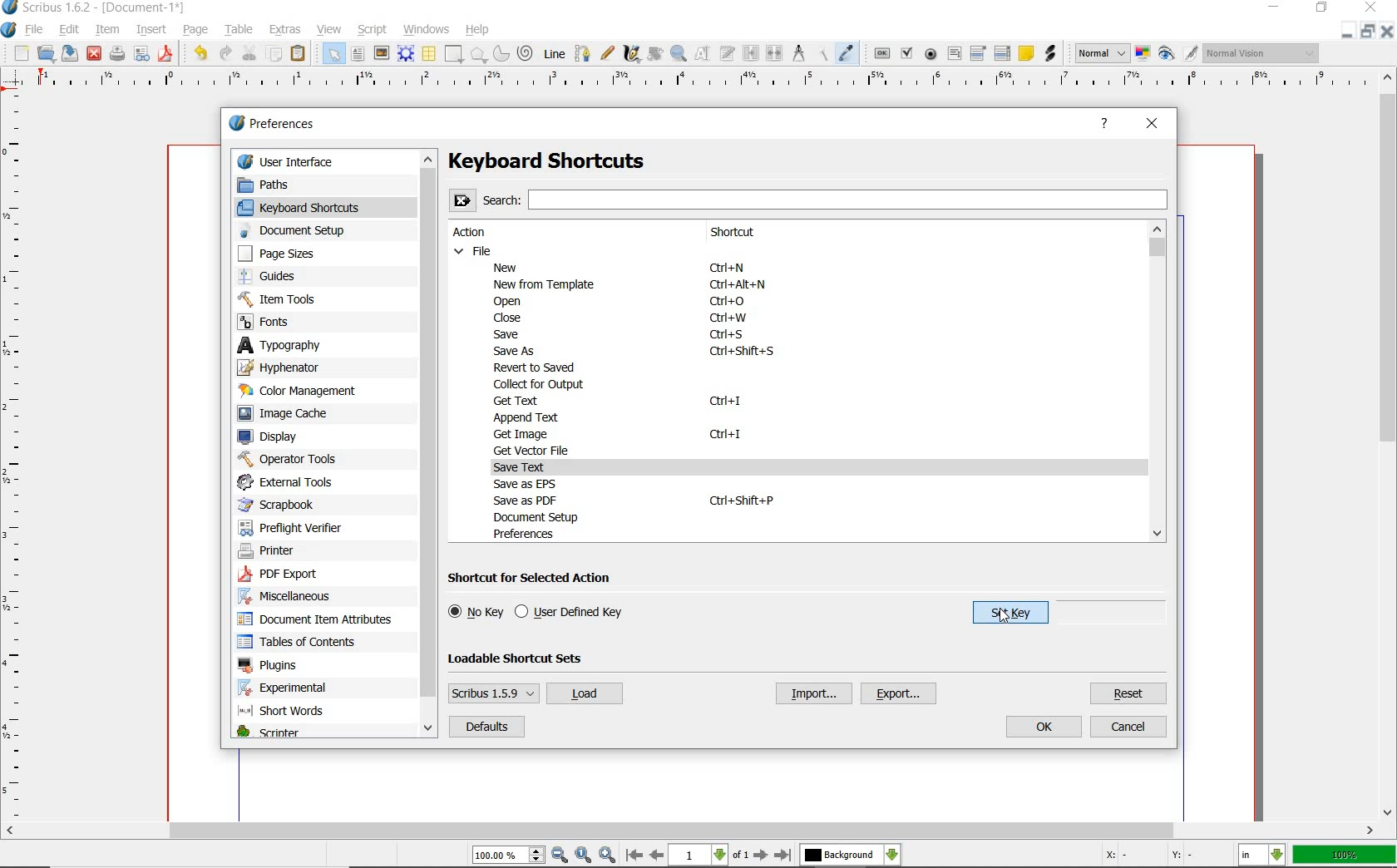  What do you see at coordinates (1002, 616) in the screenshot?
I see `set key` at bounding box center [1002, 616].